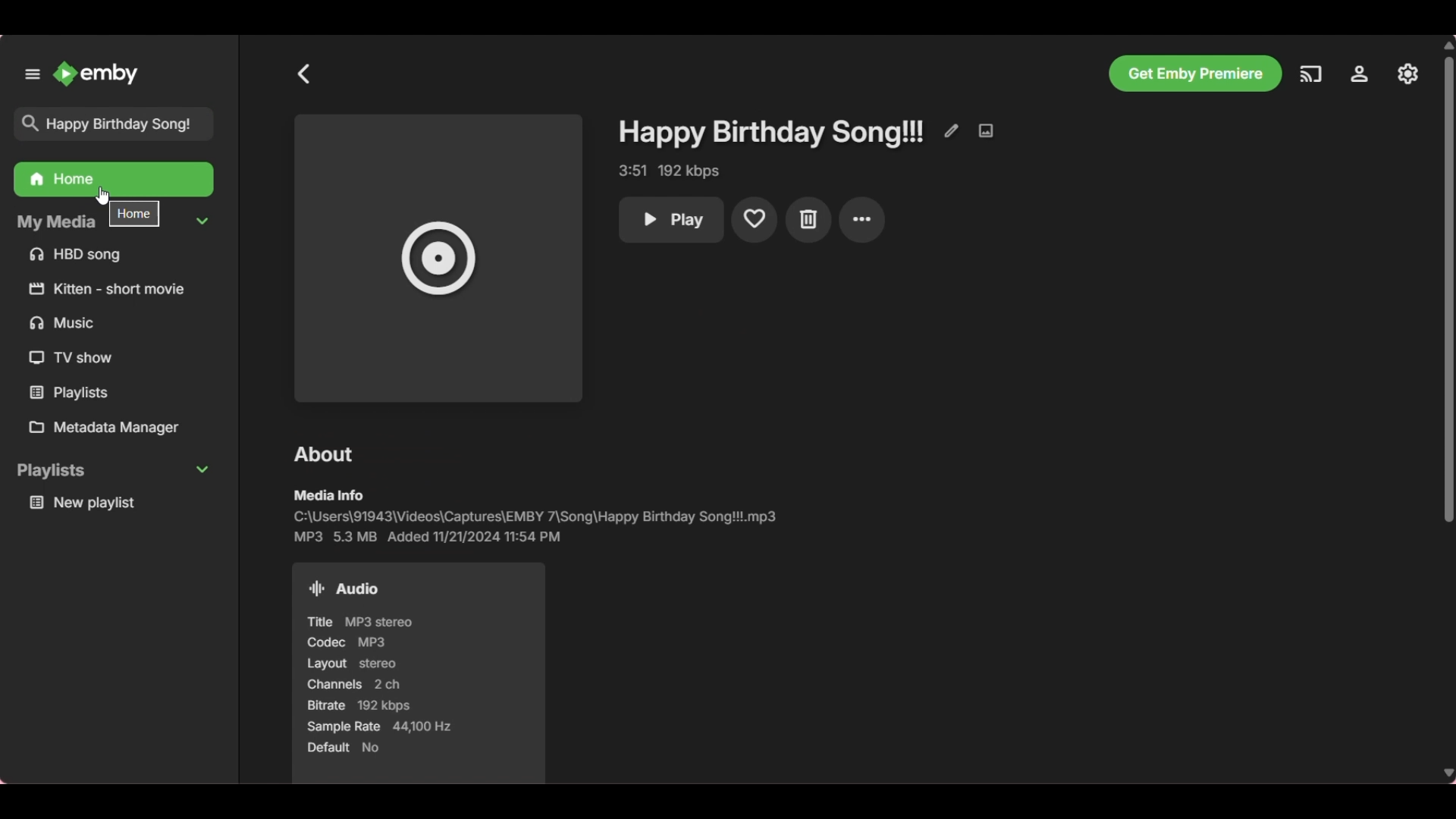 This screenshot has width=1456, height=819. What do you see at coordinates (1451, 408) in the screenshot?
I see `Vertical slide bar` at bounding box center [1451, 408].